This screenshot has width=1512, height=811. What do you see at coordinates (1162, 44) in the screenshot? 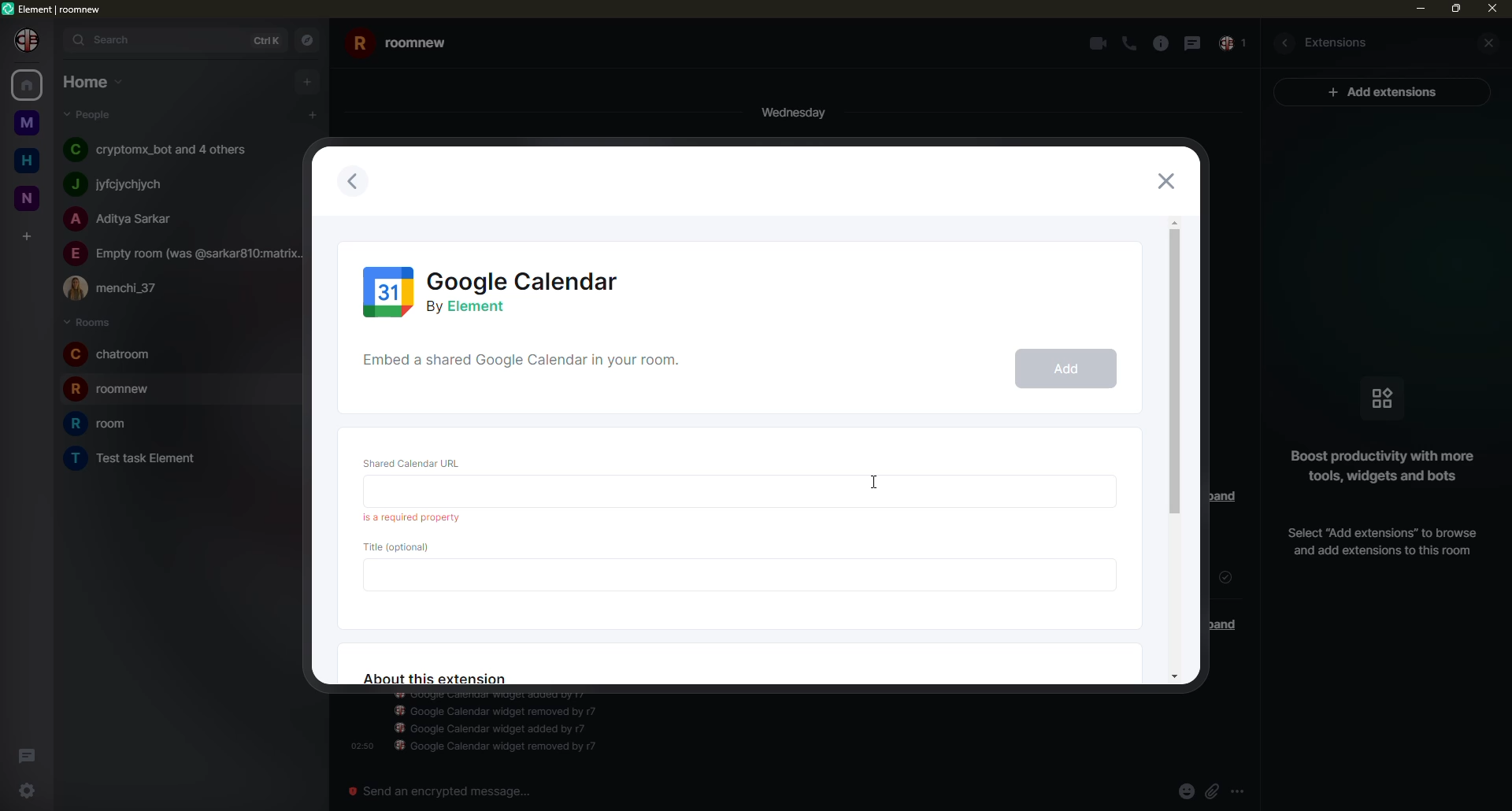
I see `info` at bounding box center [1162, 44].